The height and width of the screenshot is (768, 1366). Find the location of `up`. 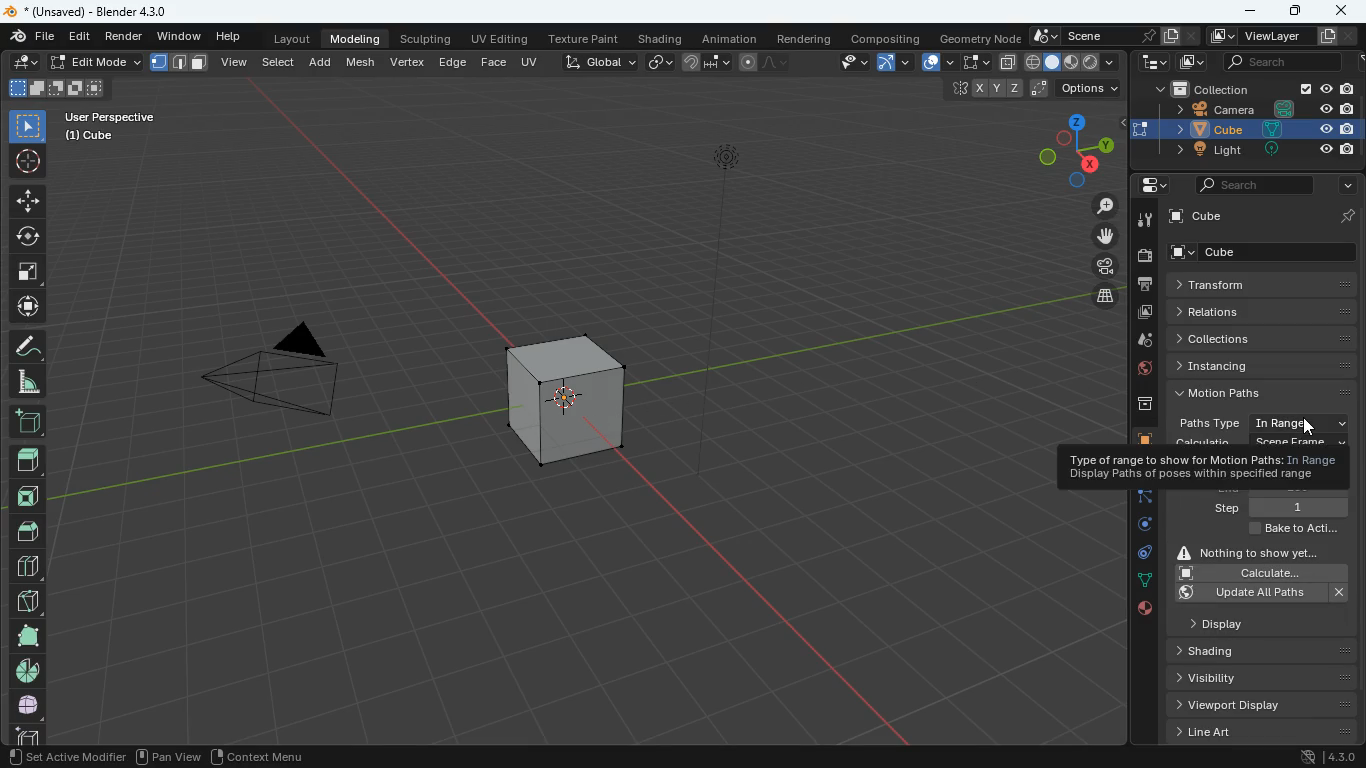

up is located at coordinates (27, 454).